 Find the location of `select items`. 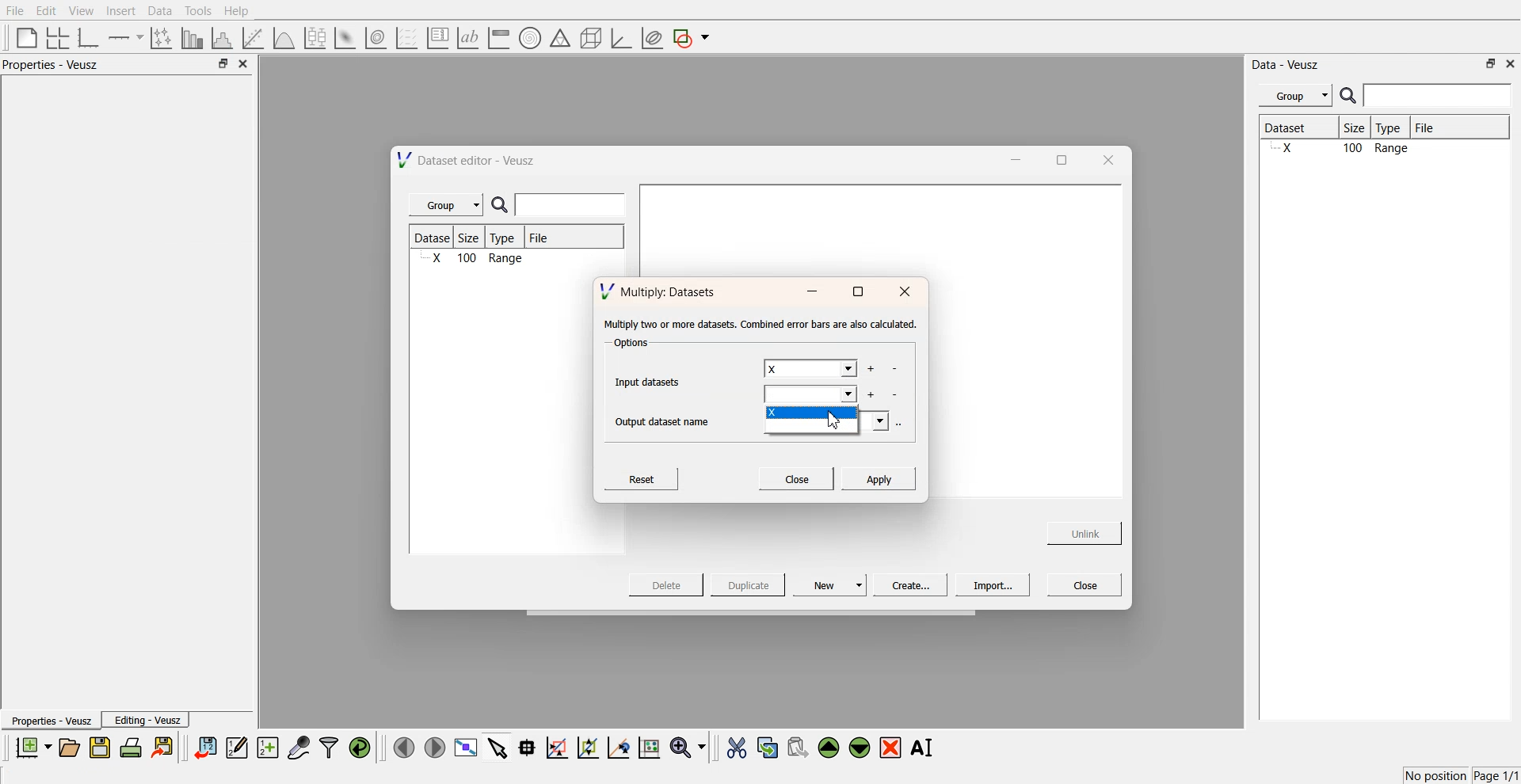

select items is located at coordinates (497, 747).